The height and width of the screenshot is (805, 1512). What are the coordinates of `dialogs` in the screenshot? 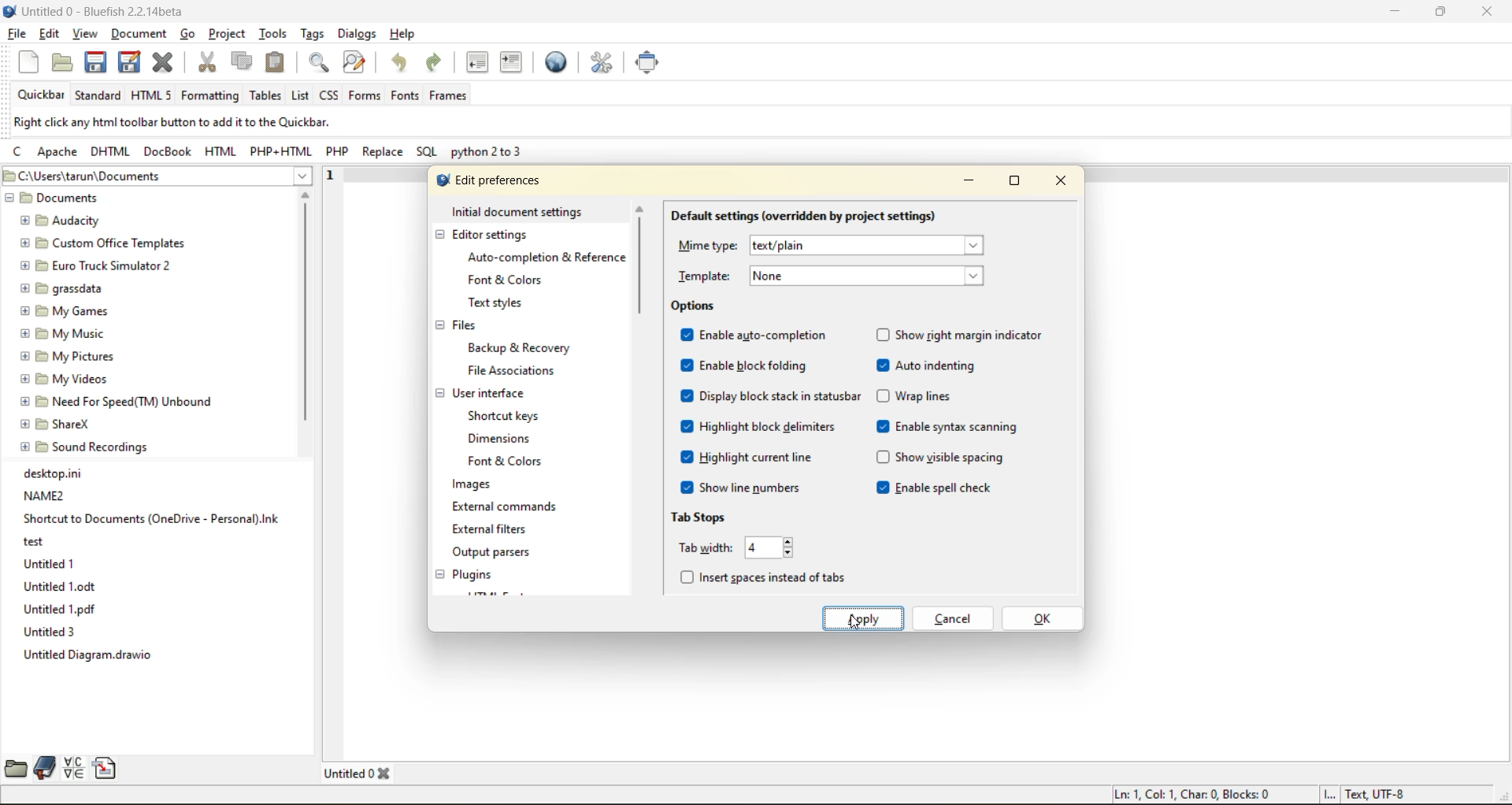 It's located at (358, 33).